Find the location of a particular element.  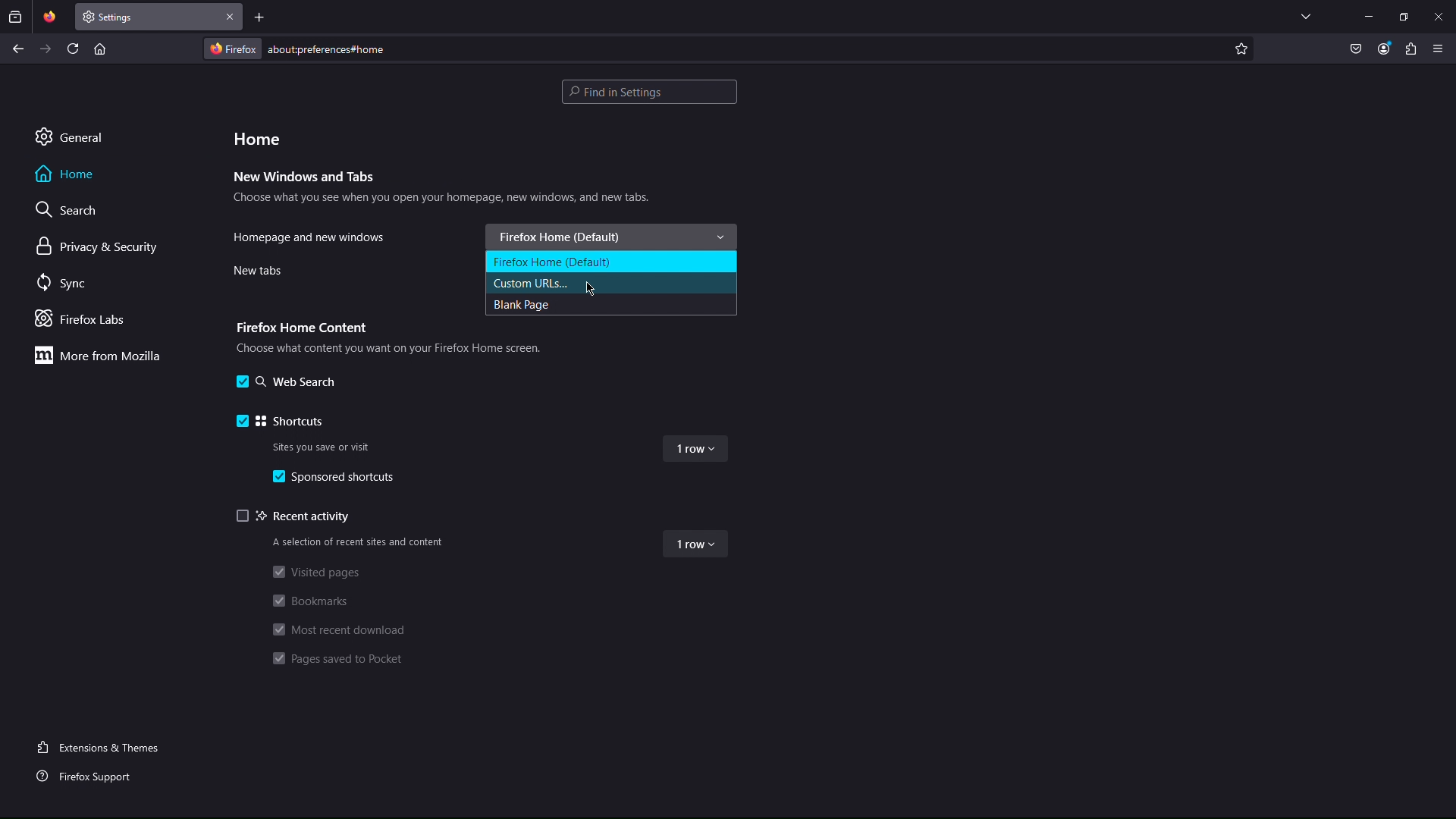

Shortcuts is located at coordinates (282, 422).